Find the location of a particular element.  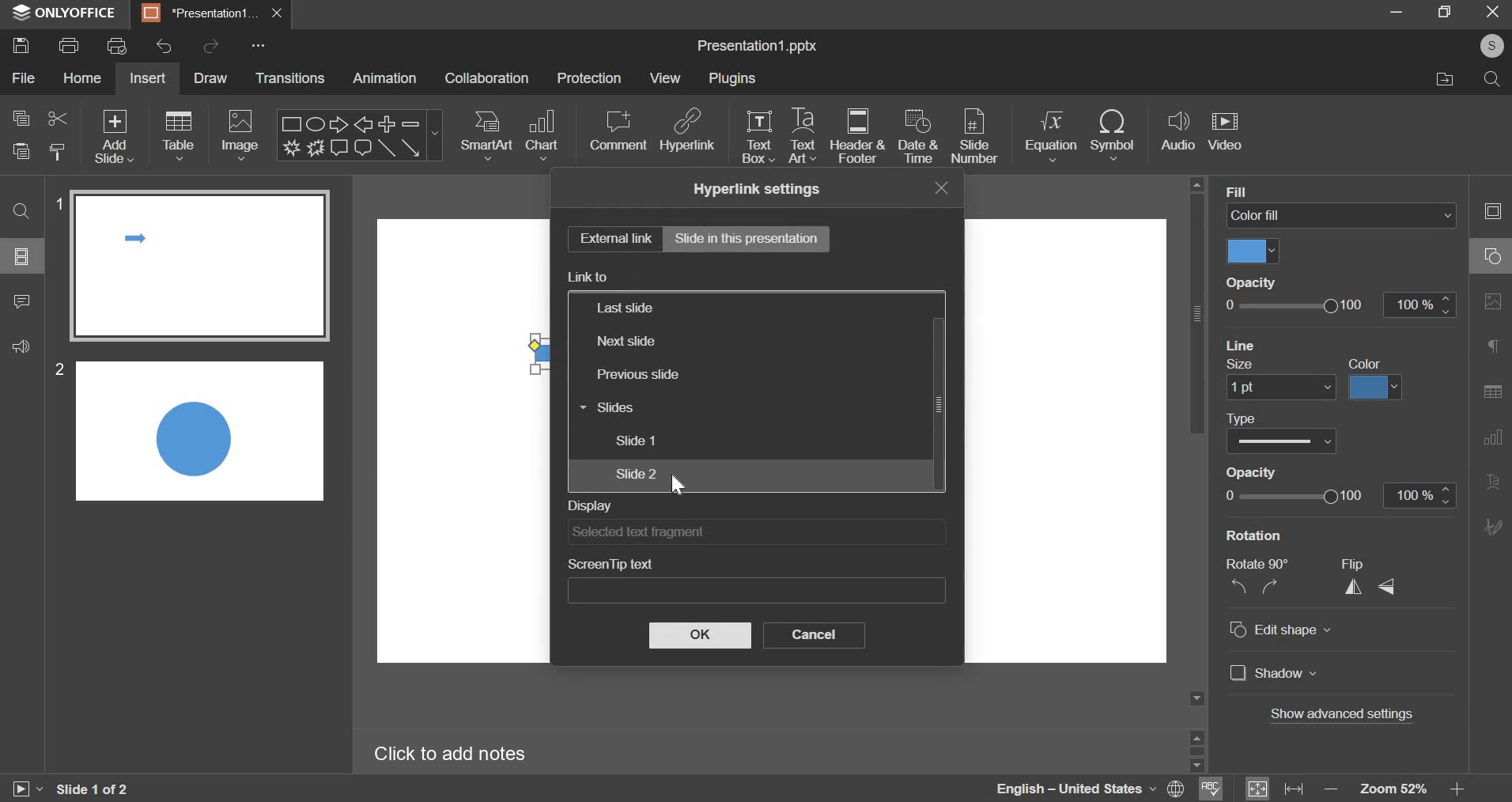

animation is located at coordinates (385, 78).